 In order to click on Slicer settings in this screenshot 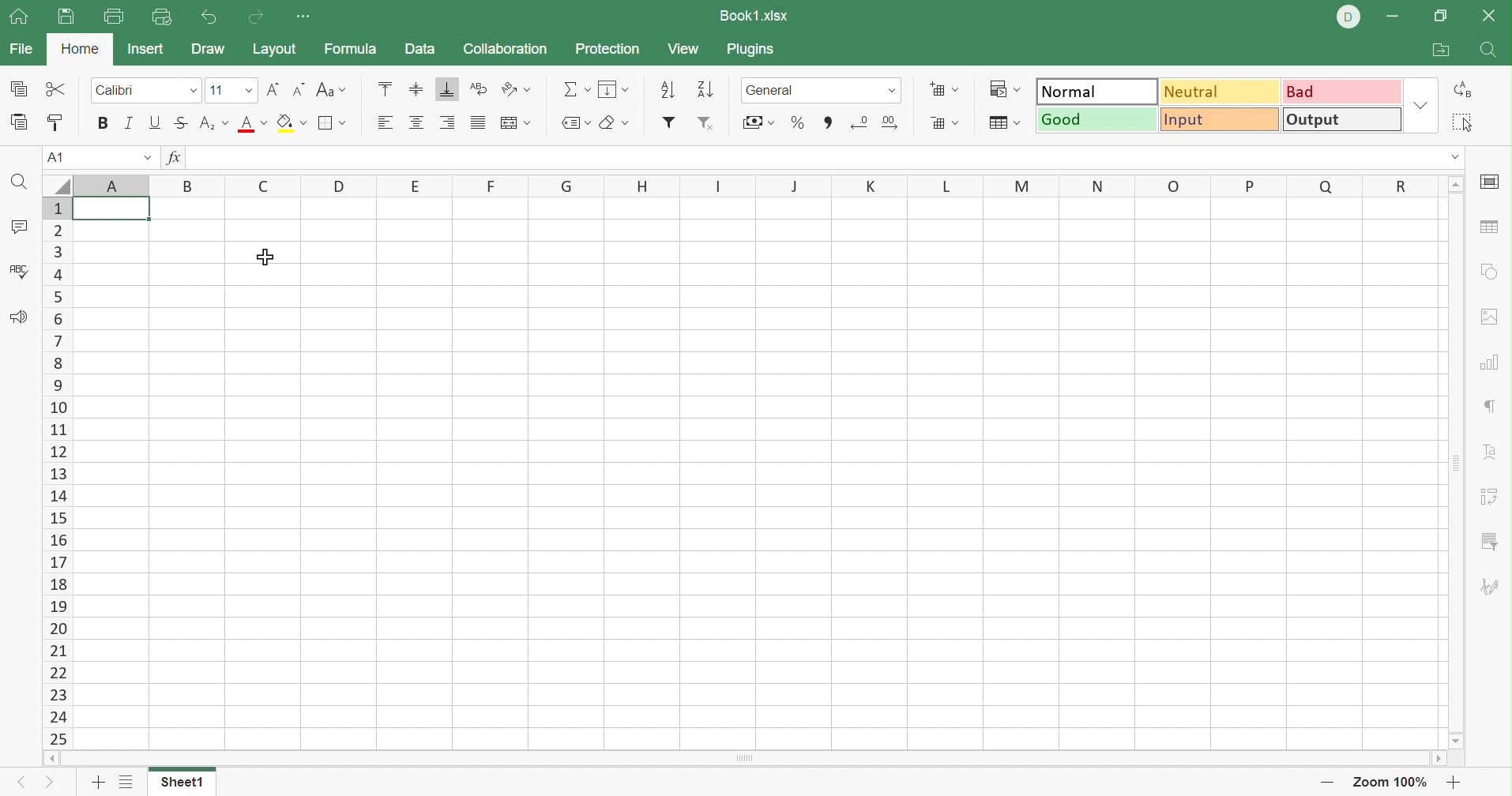, I will do `click(1491, 544)`.